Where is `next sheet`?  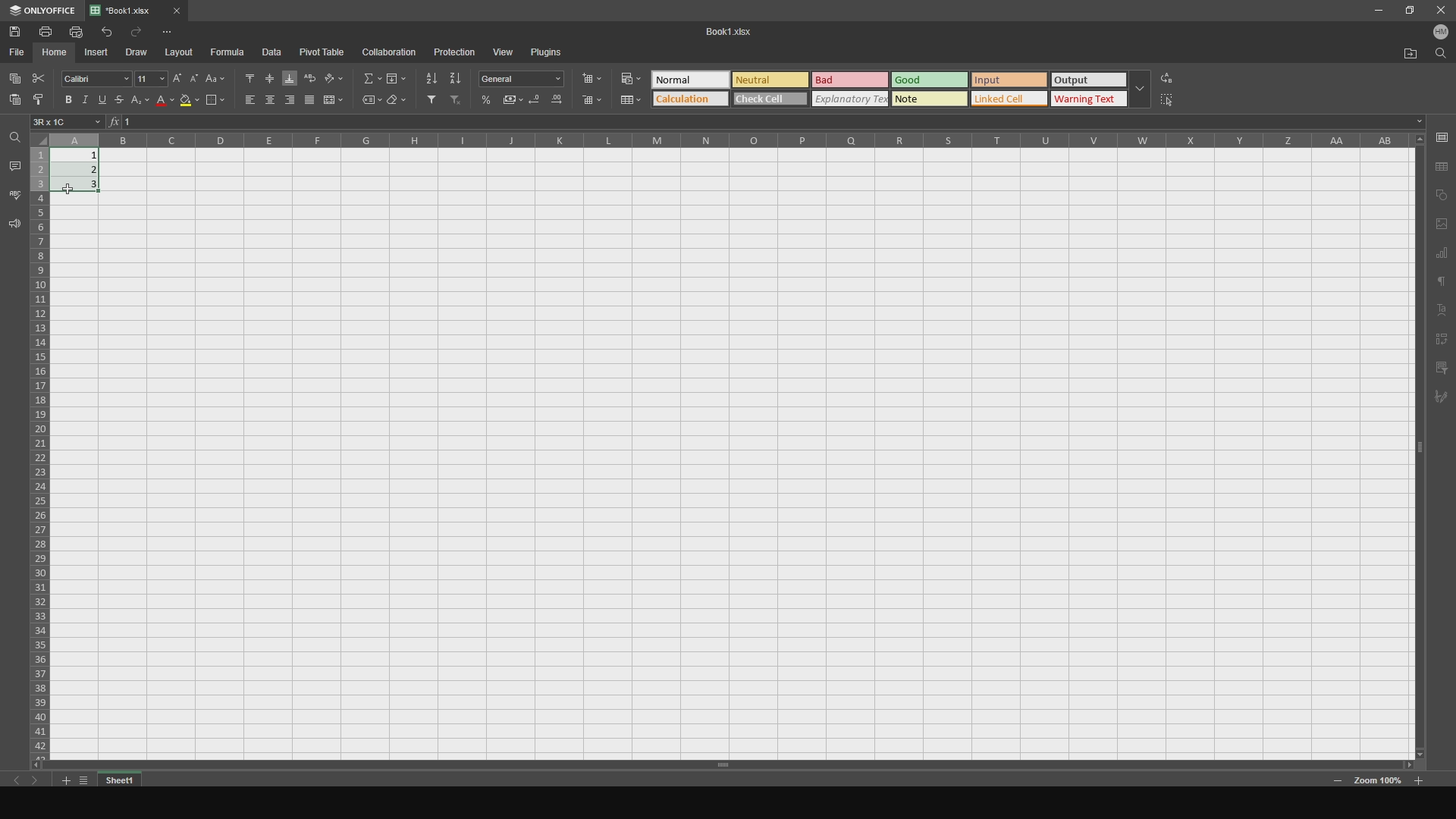
next sheet is located at coordinates (39, 782).